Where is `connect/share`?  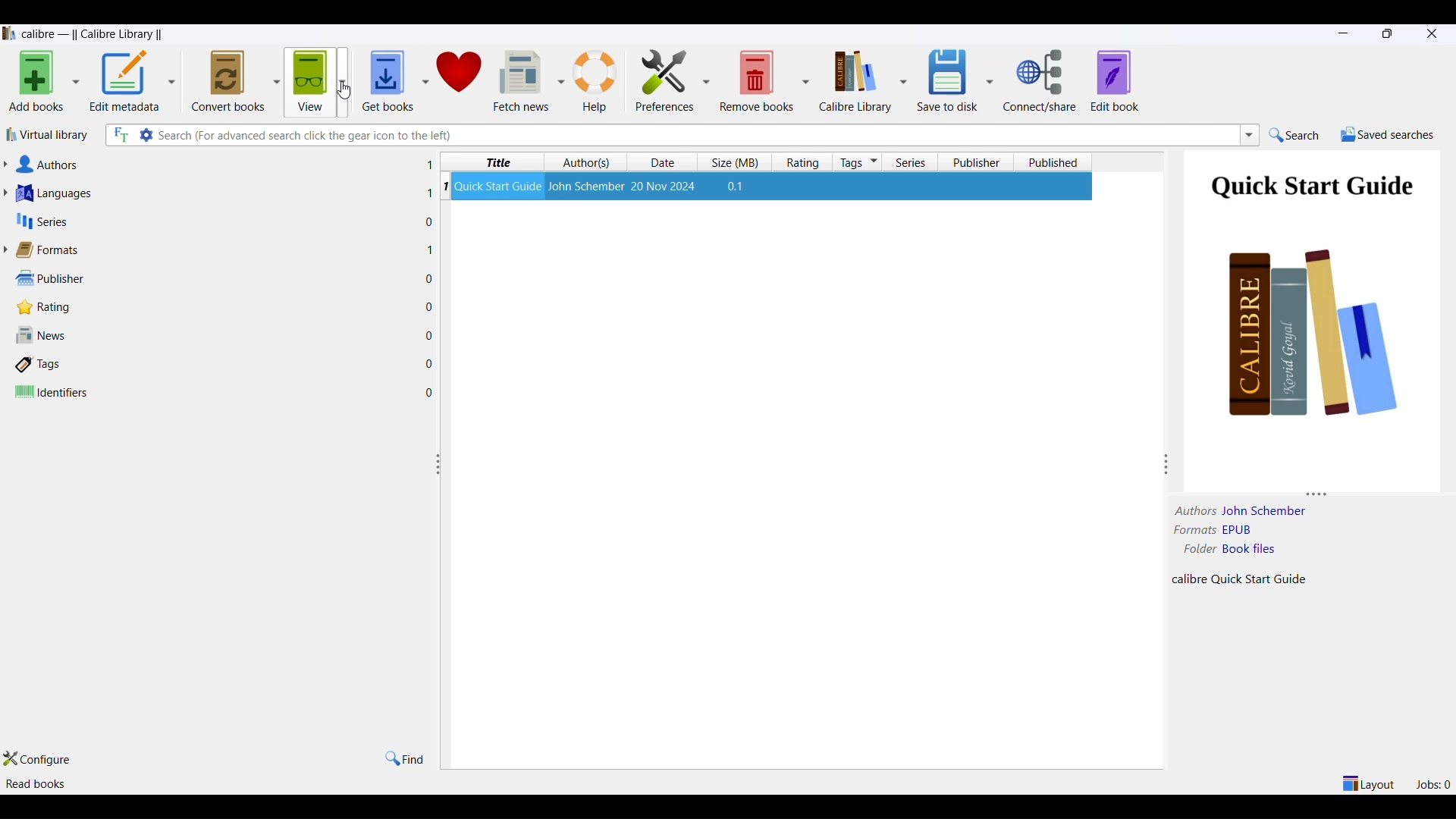 connect/share is located at coordinates (1043, 82).